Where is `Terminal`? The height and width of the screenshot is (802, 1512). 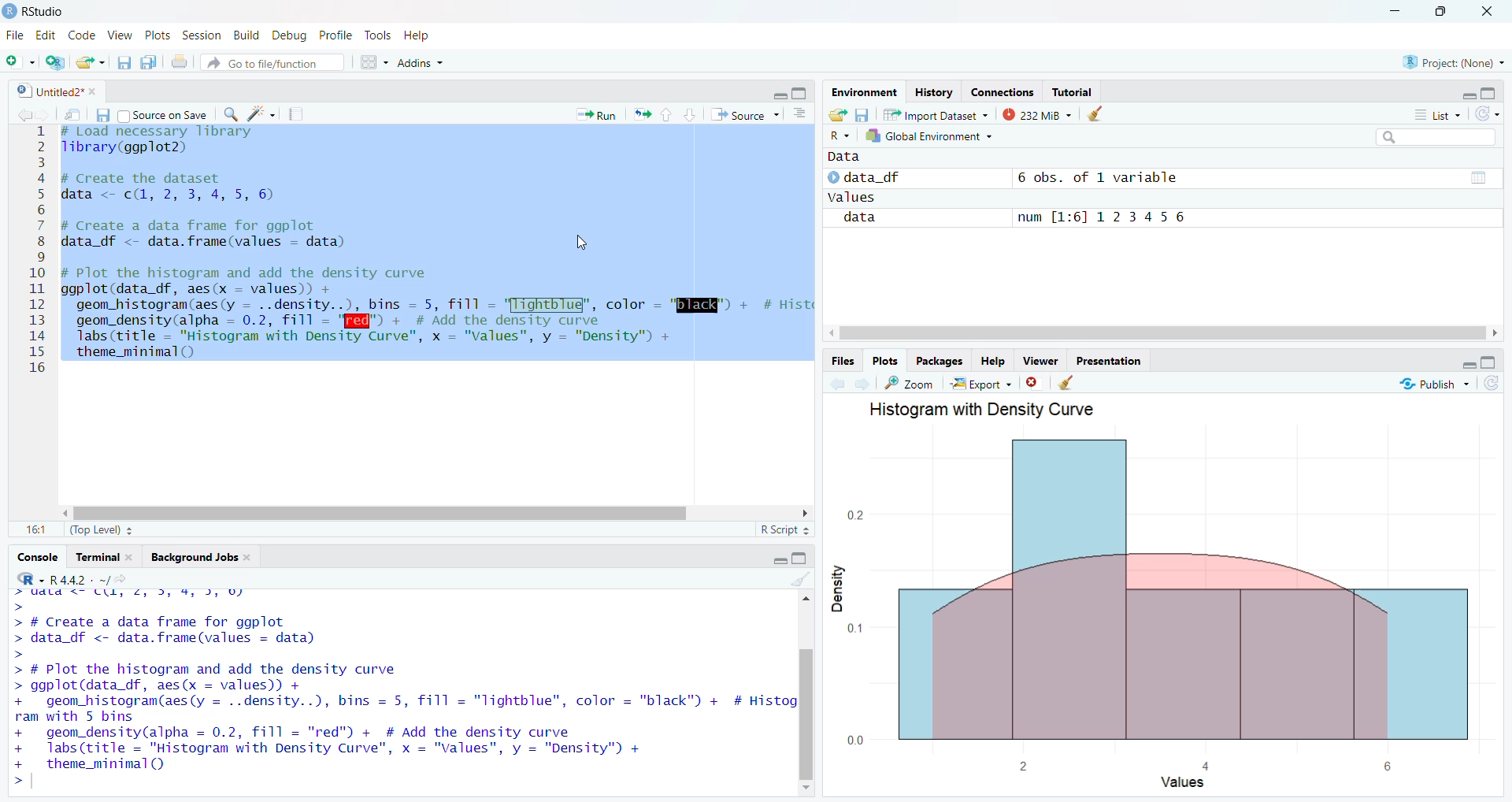
Terminal is located at coordinates (96, 555).